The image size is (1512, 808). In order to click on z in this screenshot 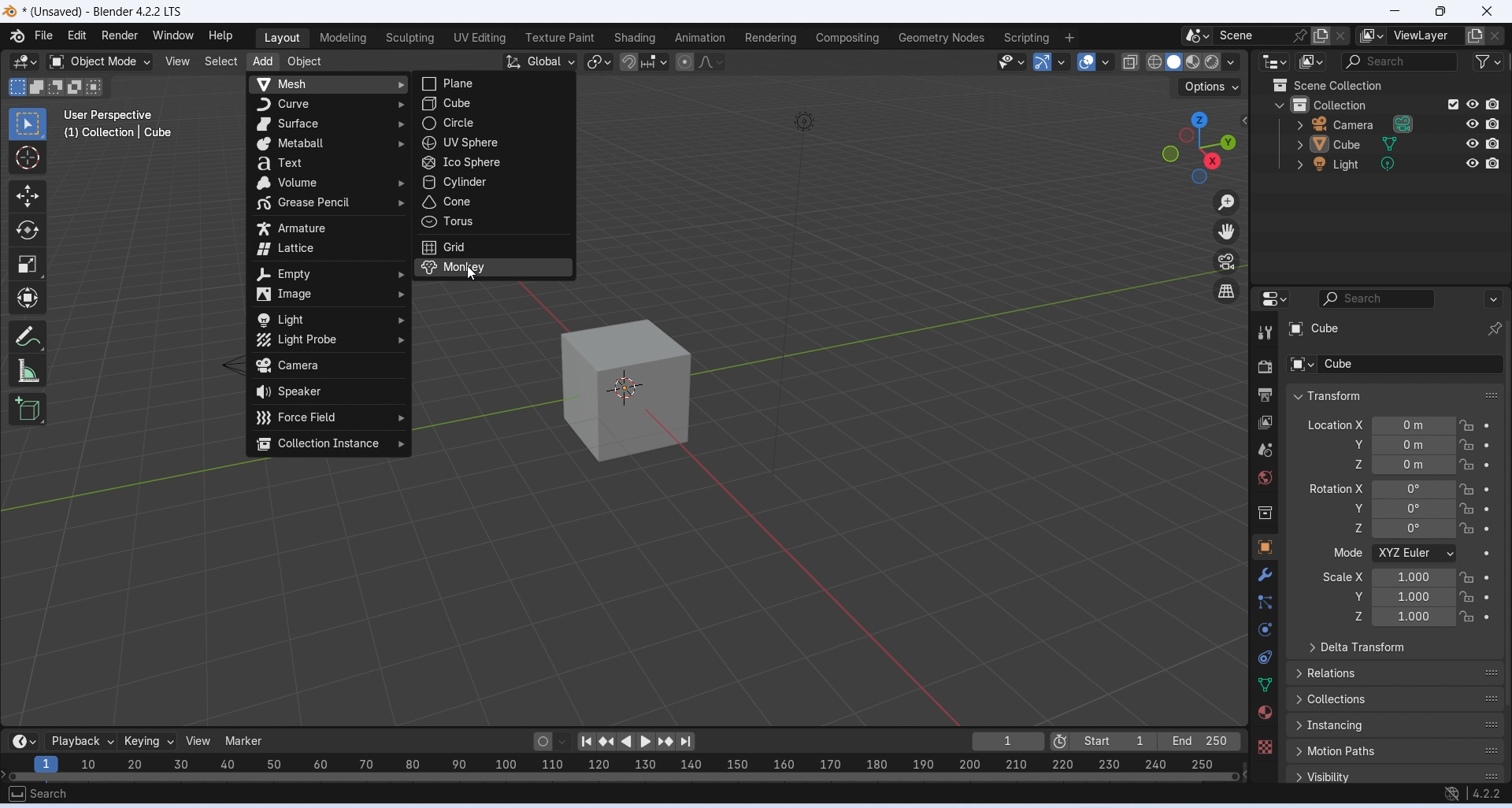, I will do `click(1354, 464)`.